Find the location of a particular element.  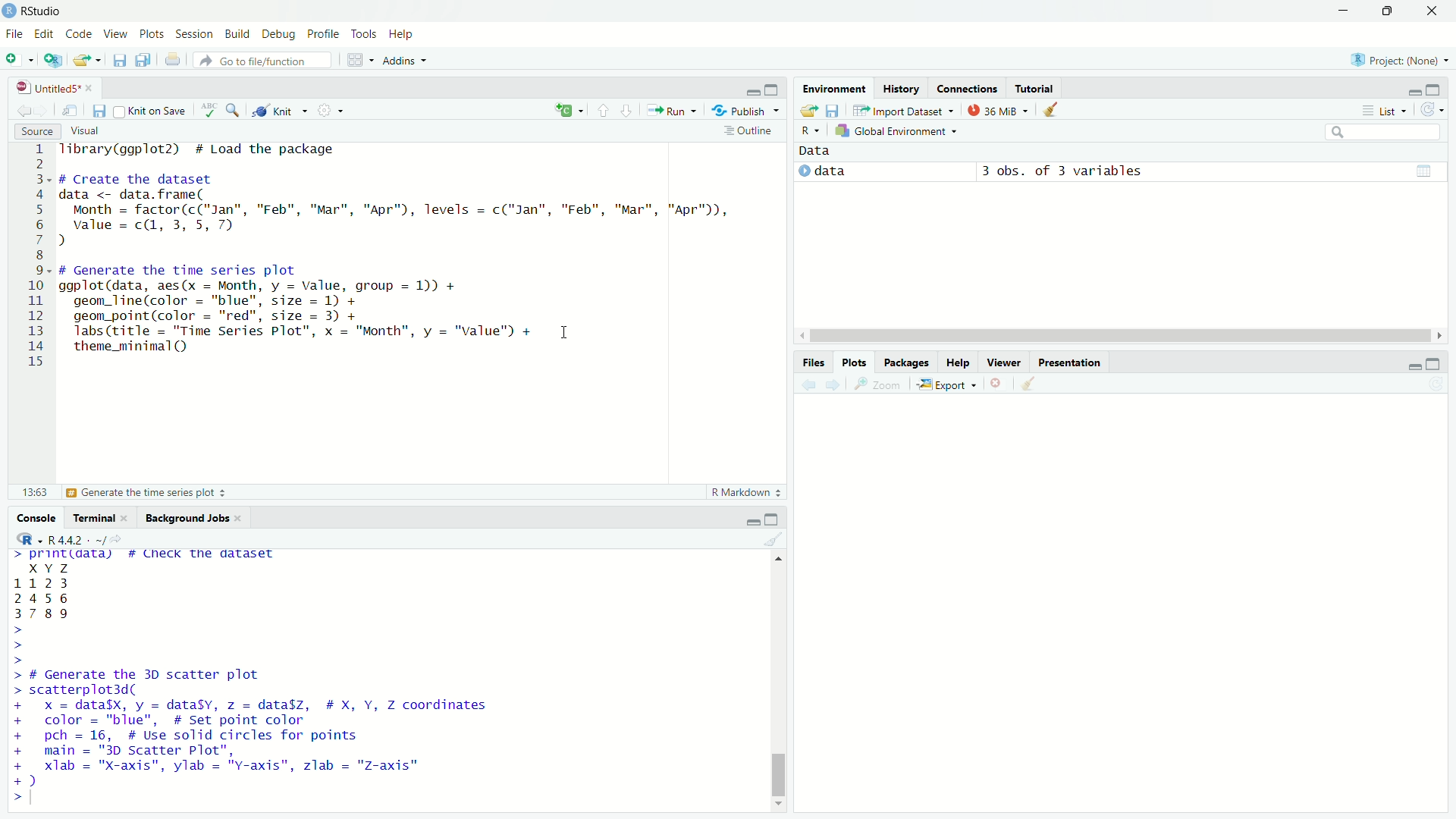

R markdown is located at coordinates (748, 493).